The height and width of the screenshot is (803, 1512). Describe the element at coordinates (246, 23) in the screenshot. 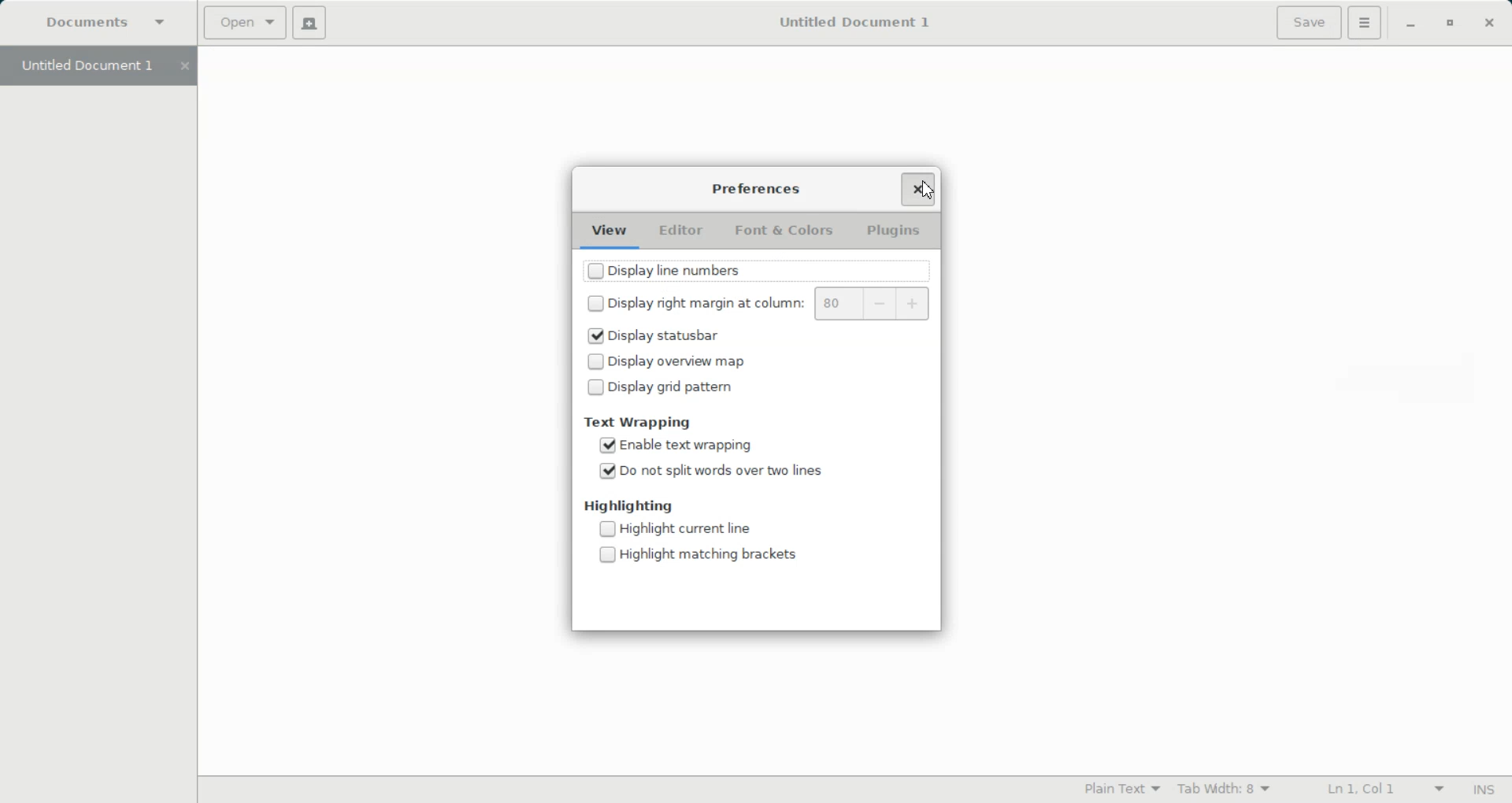

I see `Open a file` at that location.